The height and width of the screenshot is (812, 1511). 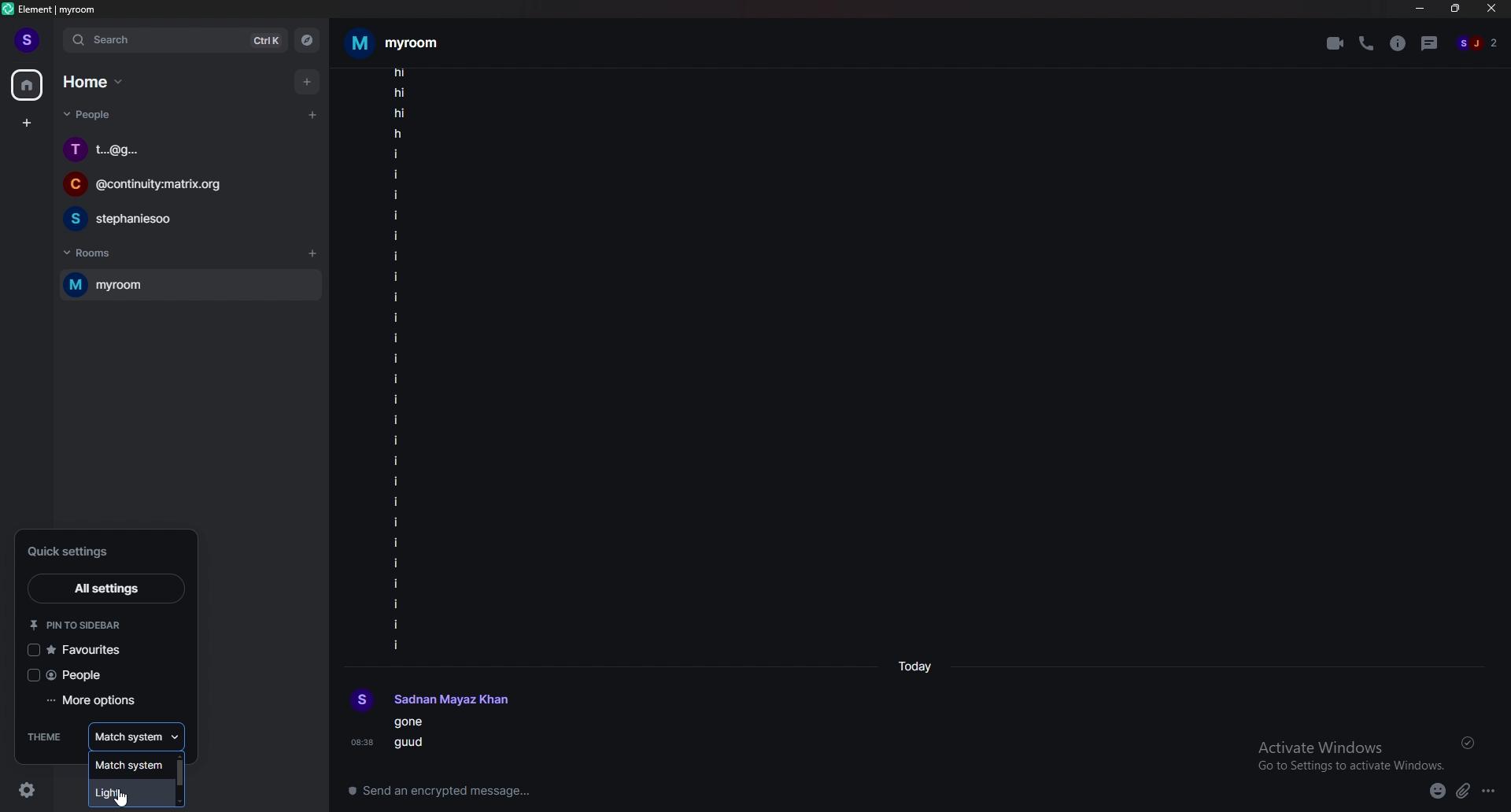 I want to click on theme selection, so click(x=136, y=736).